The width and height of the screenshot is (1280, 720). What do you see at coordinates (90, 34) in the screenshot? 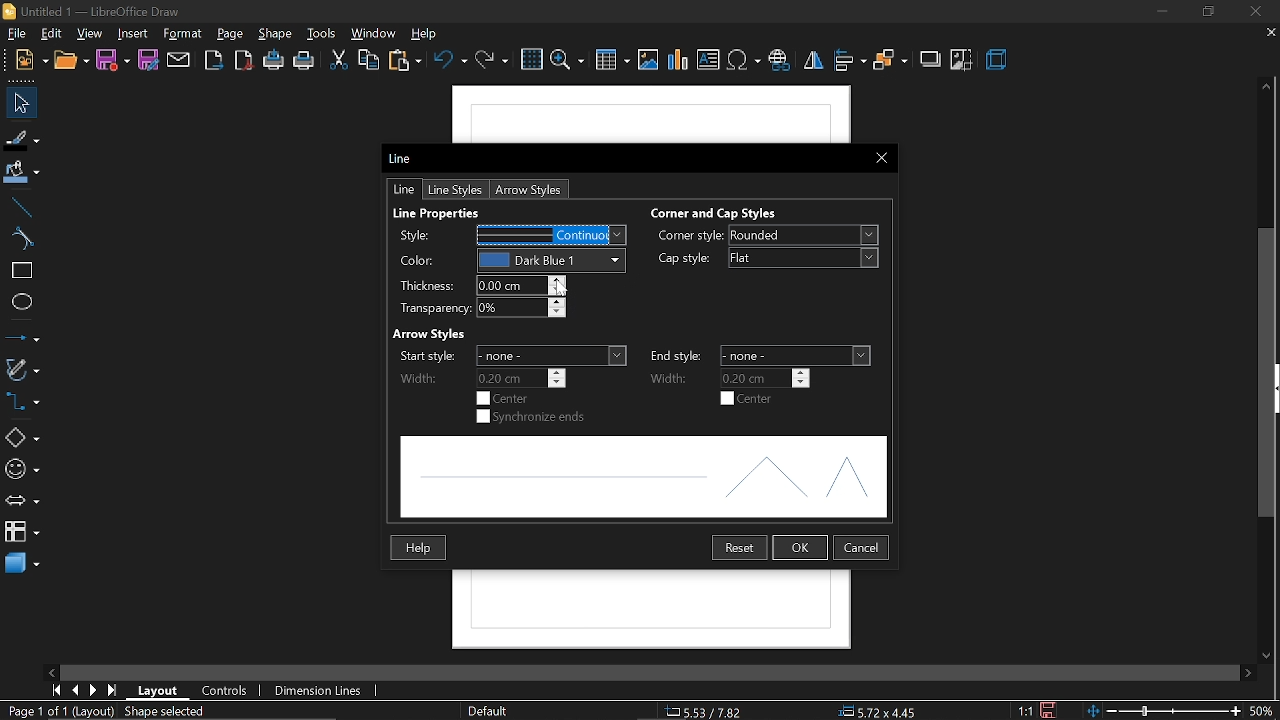
I see `view` at bounding box center [90, 34].